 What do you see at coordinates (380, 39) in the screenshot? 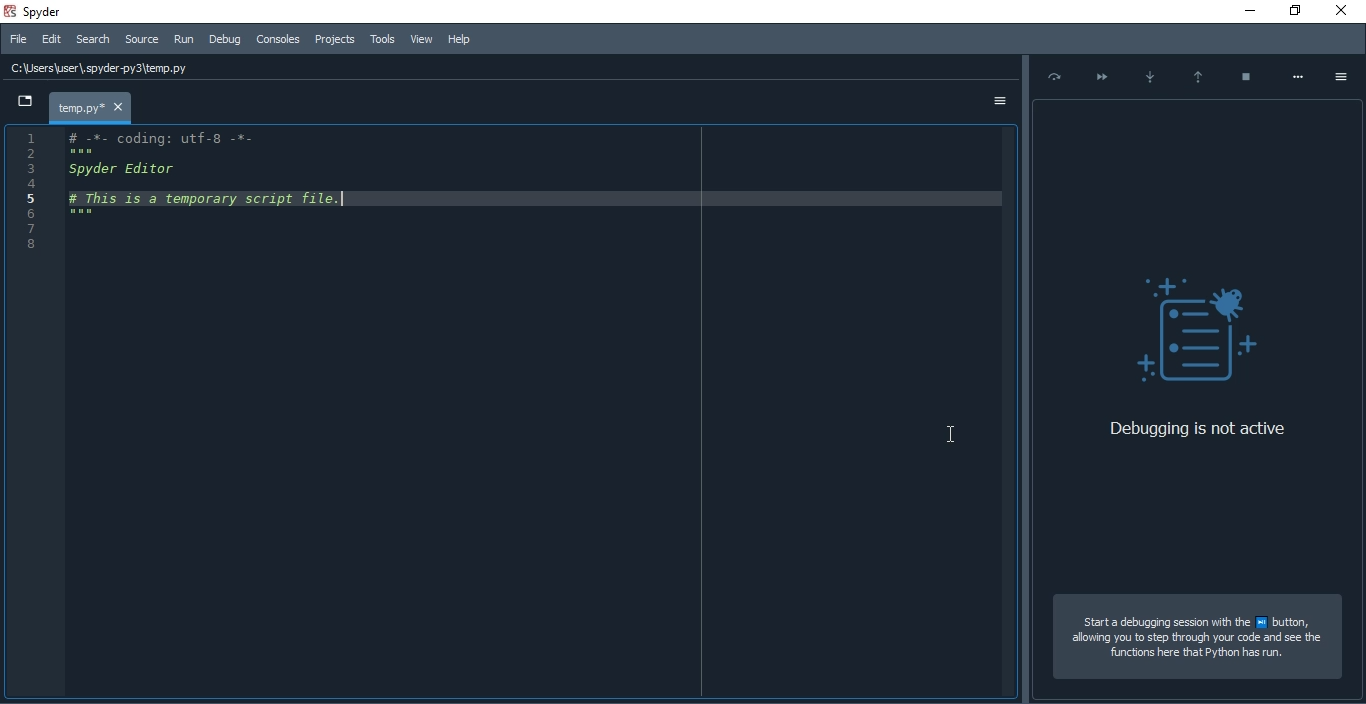
I see `Tools` at bounding box center [380, 39].